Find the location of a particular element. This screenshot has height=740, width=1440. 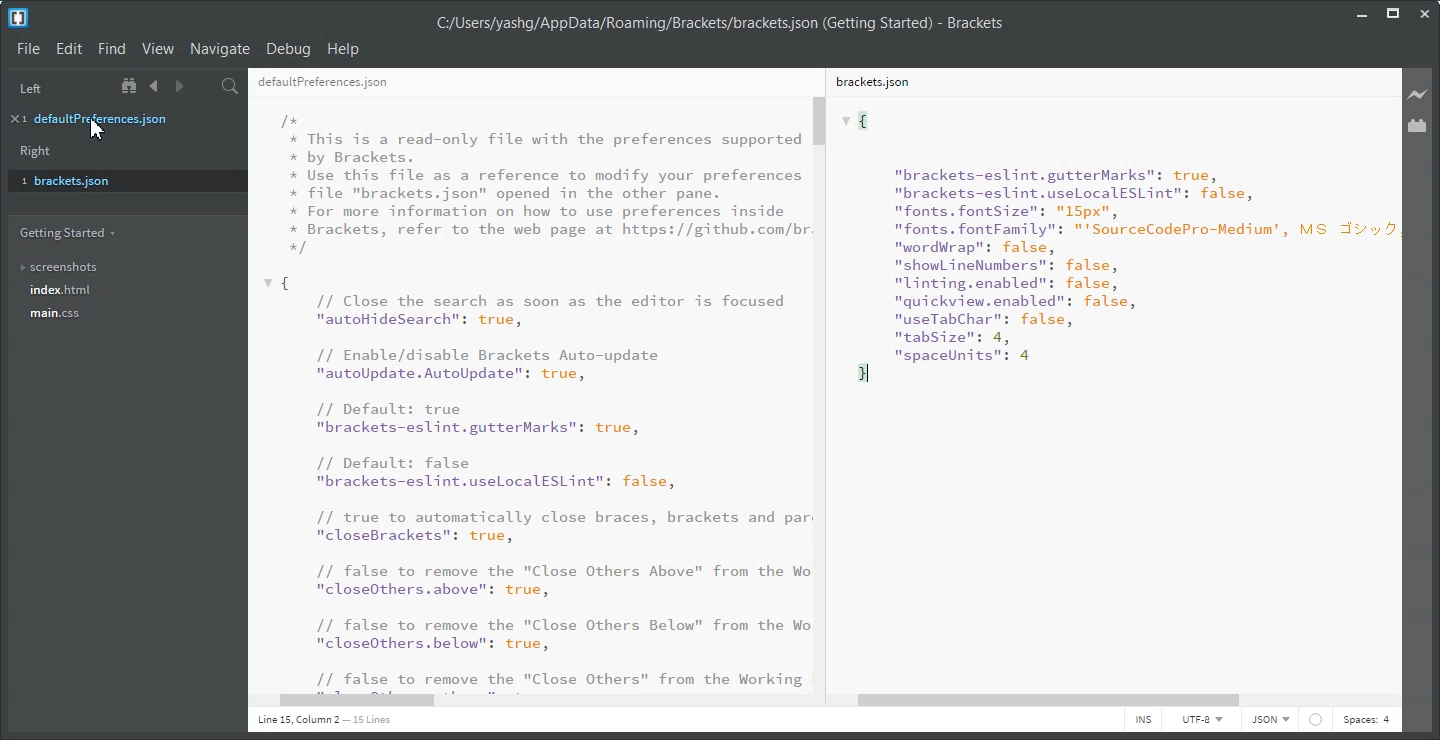

Split the editor vertically or Horizontally is located at coordinates (204, 86).